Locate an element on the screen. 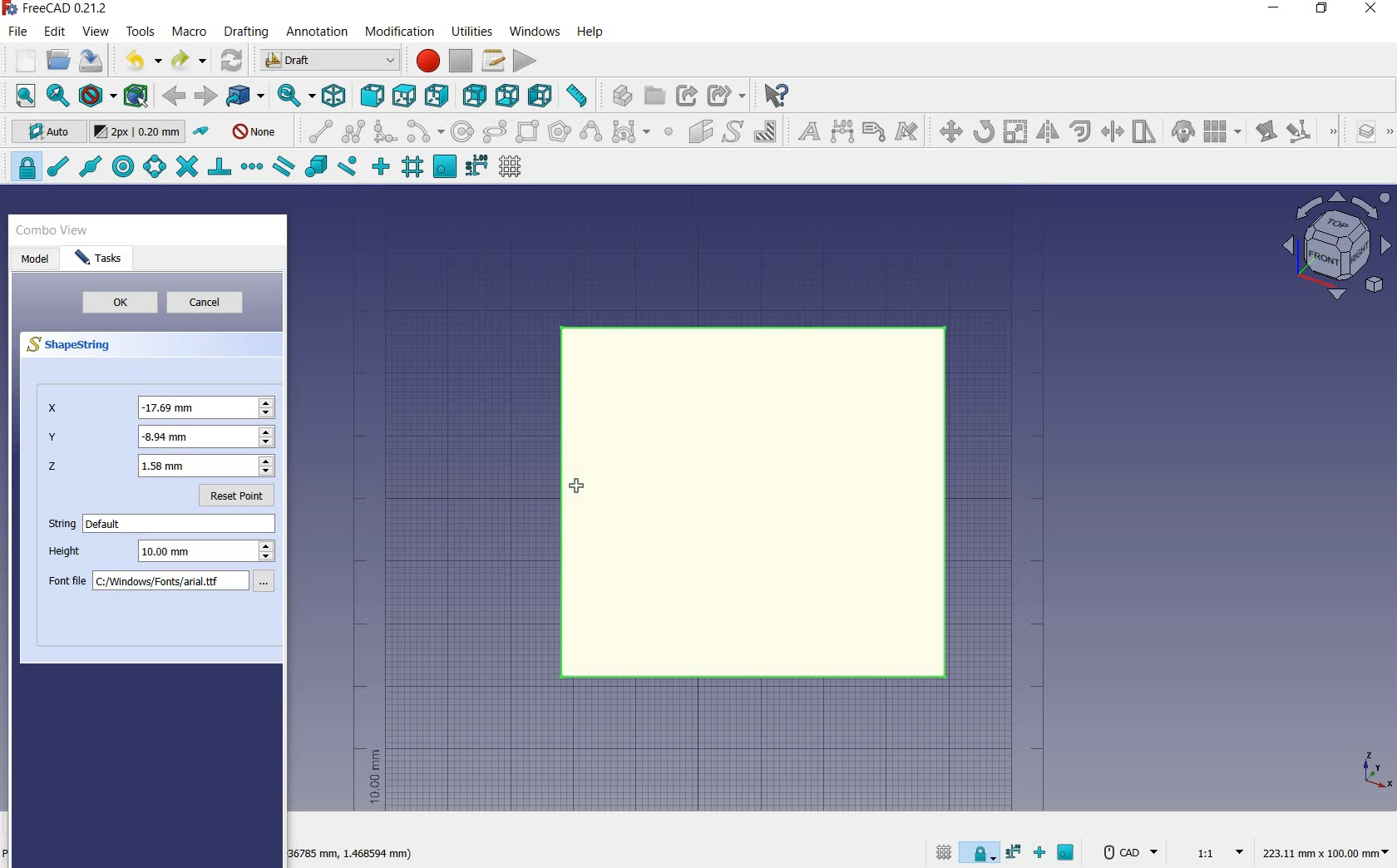 The width and height of the screenshot is (1397, 868). close is located at coordinates (275, 233).